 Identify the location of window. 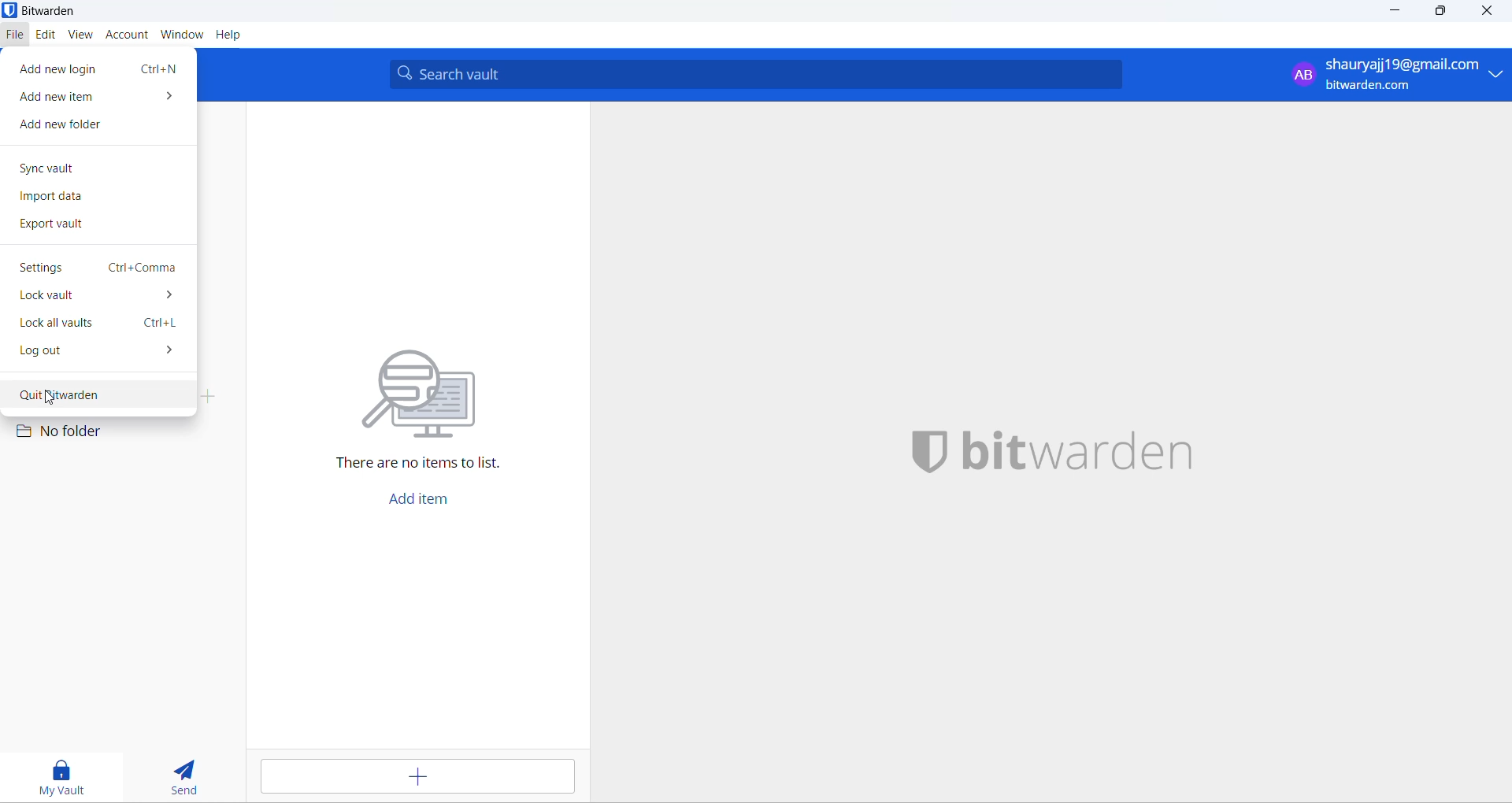
(182, 36).